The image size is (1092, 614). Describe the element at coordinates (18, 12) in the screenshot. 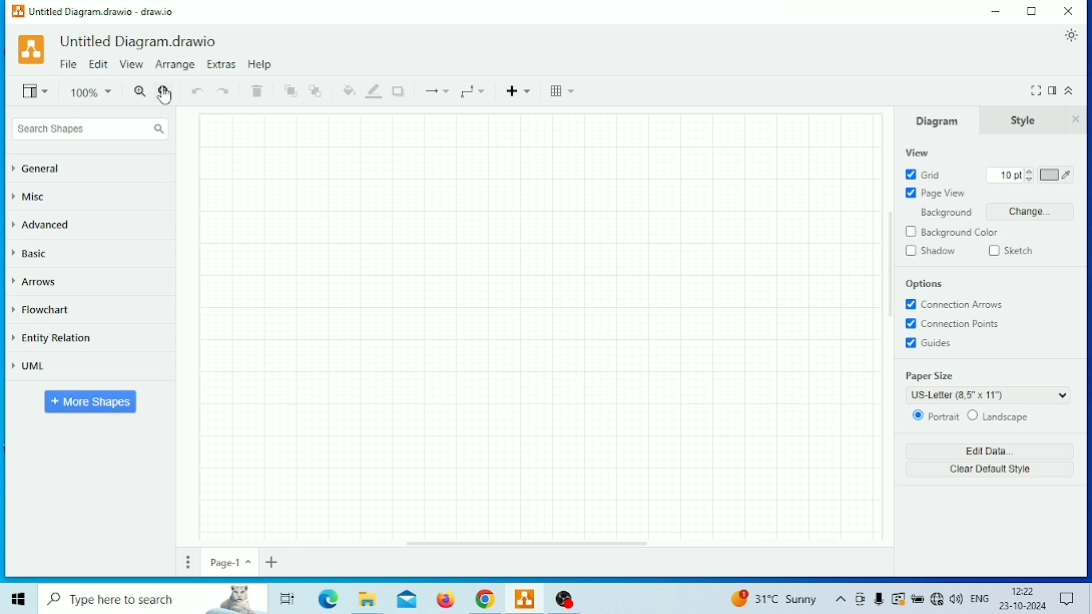

I see `Logo` at that location.